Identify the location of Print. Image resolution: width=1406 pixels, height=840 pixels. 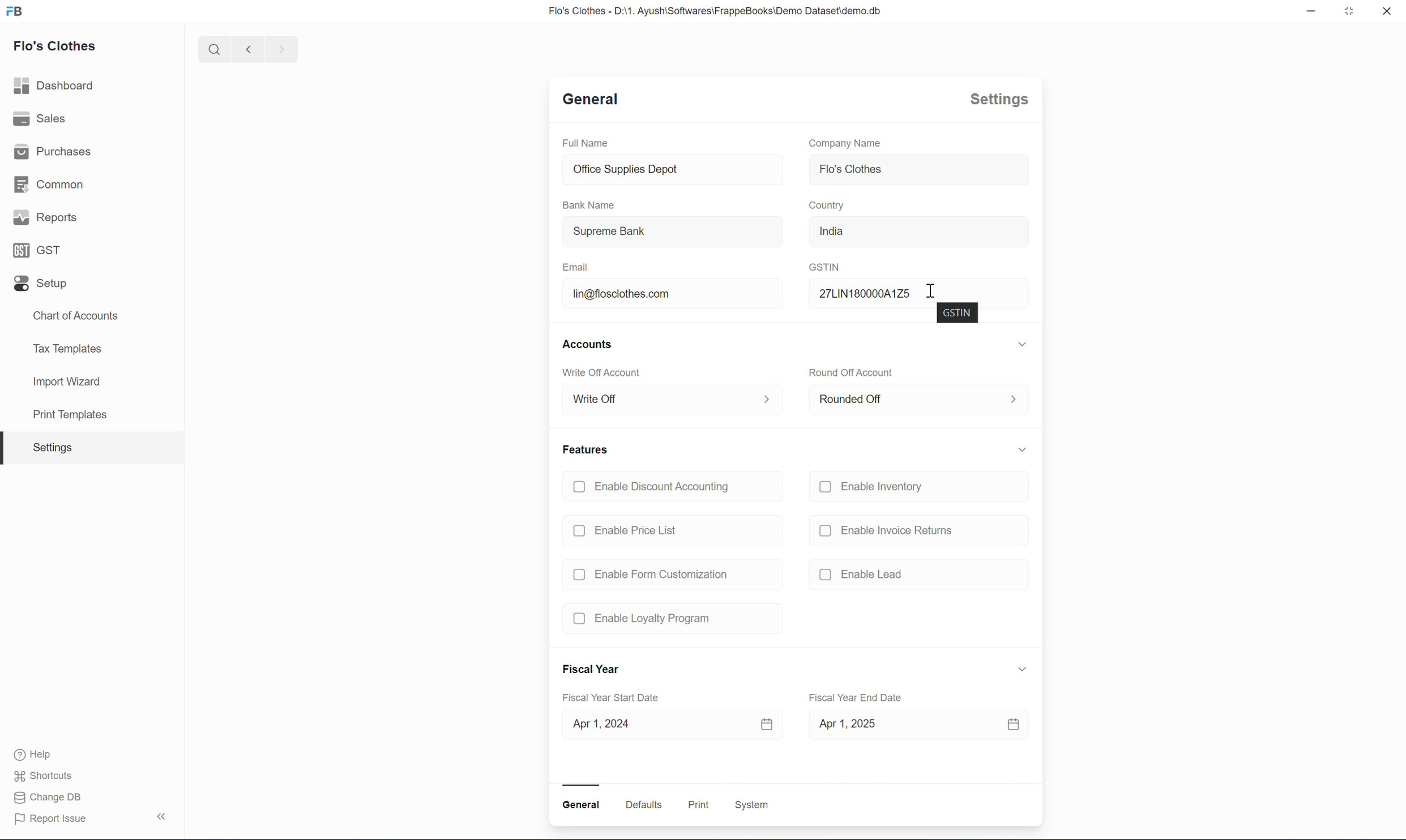
(699, 804).